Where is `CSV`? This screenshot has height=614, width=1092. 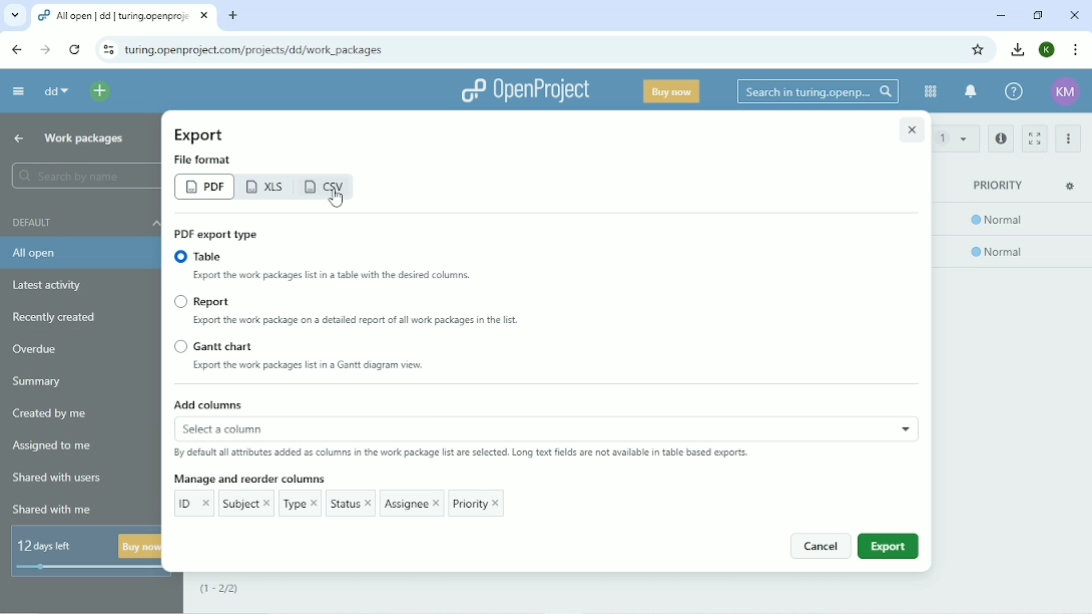 CSV is located at coordinates (328, 188).